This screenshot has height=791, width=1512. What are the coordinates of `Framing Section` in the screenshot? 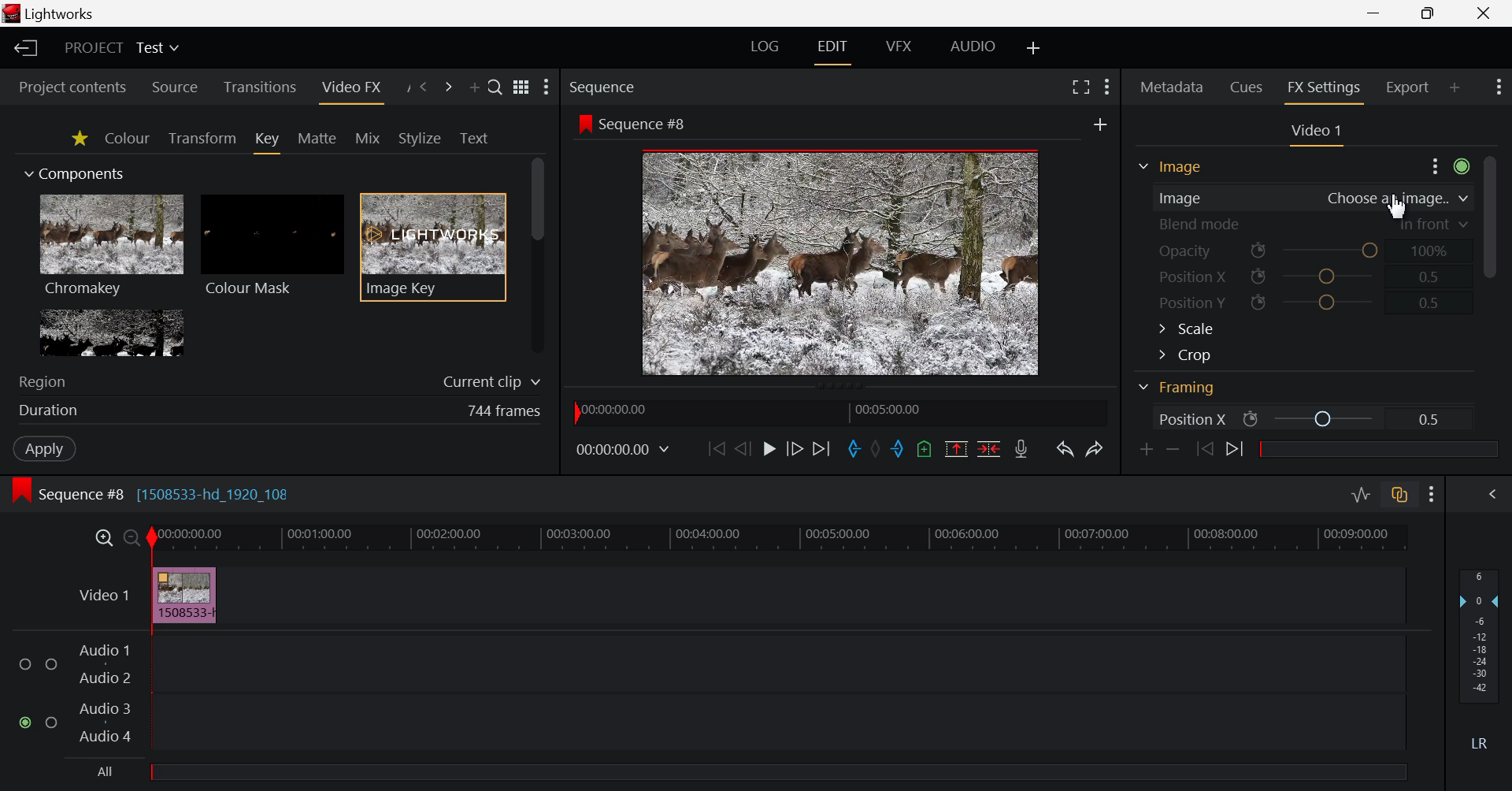 It's located at (1180, 171).